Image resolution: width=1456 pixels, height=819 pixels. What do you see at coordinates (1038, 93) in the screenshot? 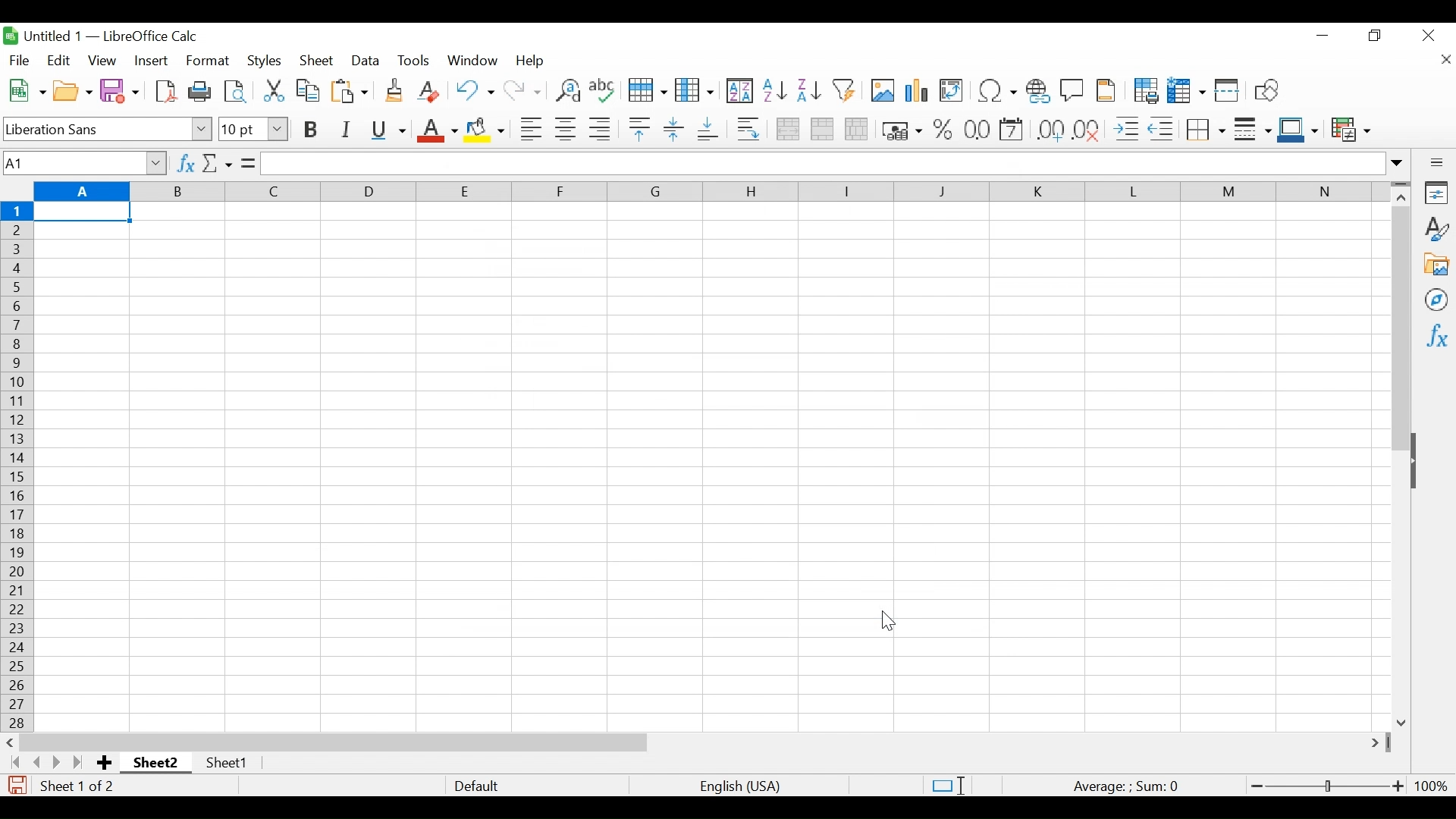
I see `Insert Hyperlink` at bounding box center [1038, 93].